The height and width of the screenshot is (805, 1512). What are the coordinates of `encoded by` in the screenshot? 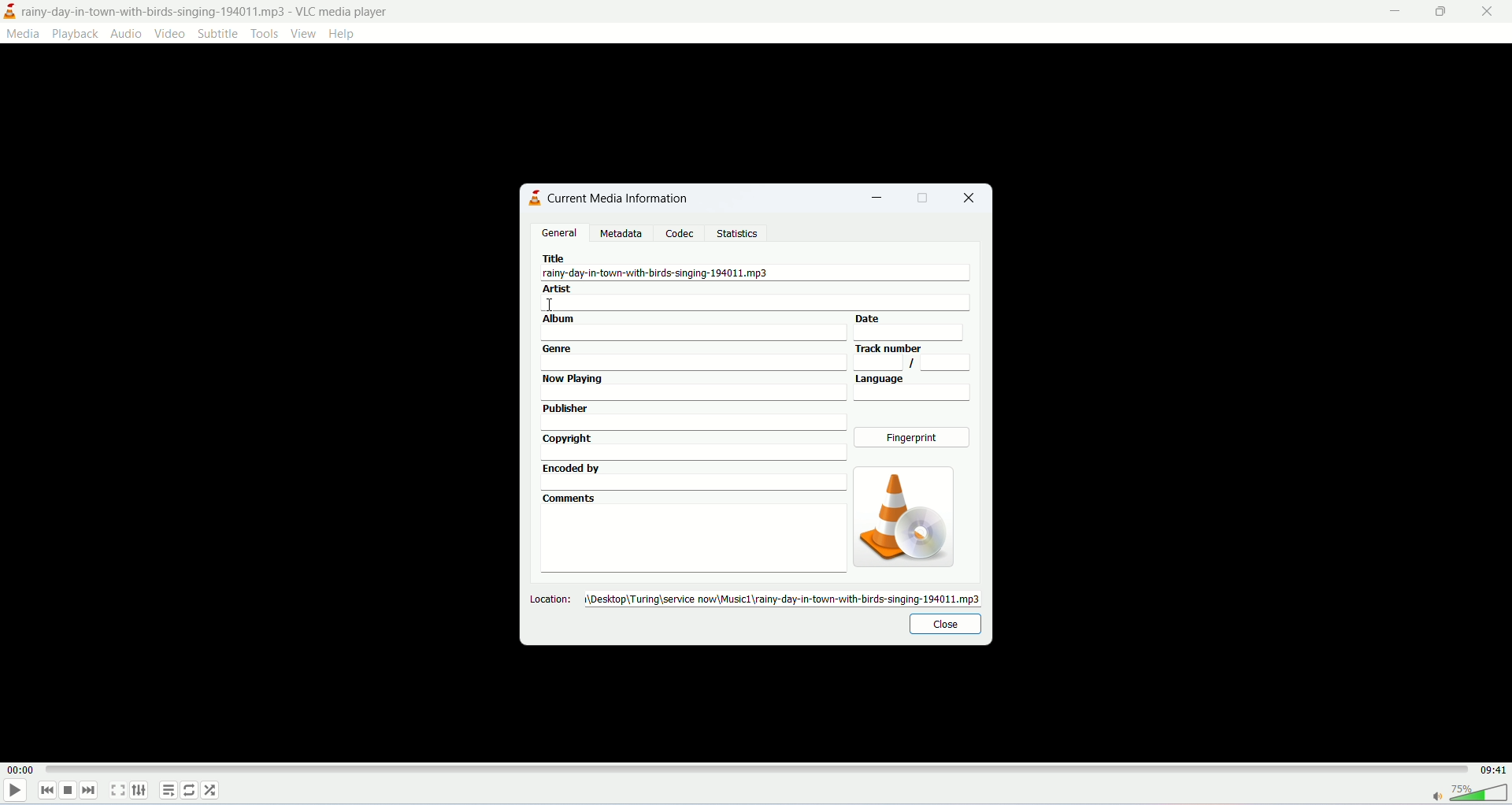 It's located at (692, 475).